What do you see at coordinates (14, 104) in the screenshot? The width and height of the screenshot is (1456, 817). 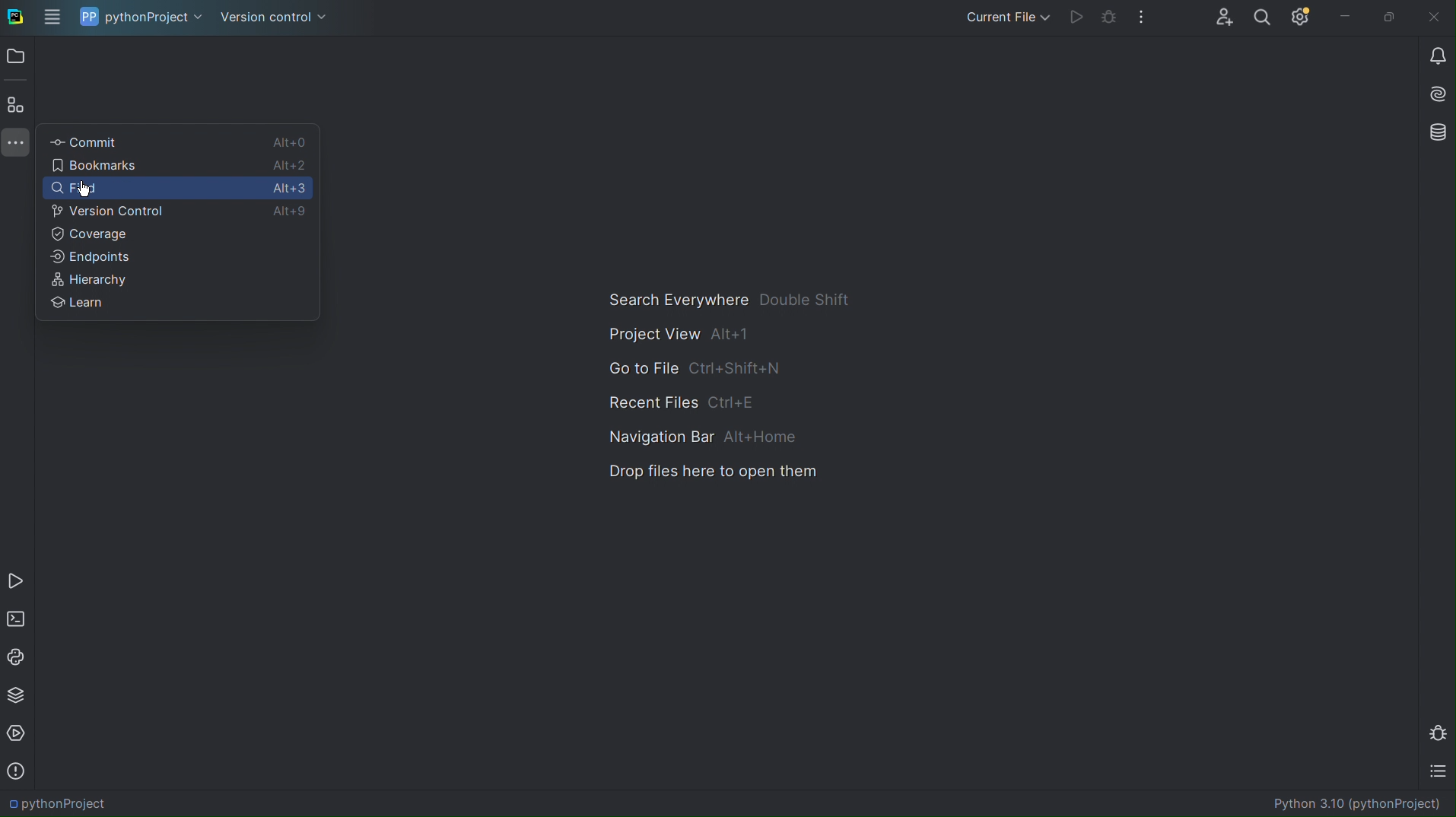 I see `Structure` at bounding box center [14, 104].